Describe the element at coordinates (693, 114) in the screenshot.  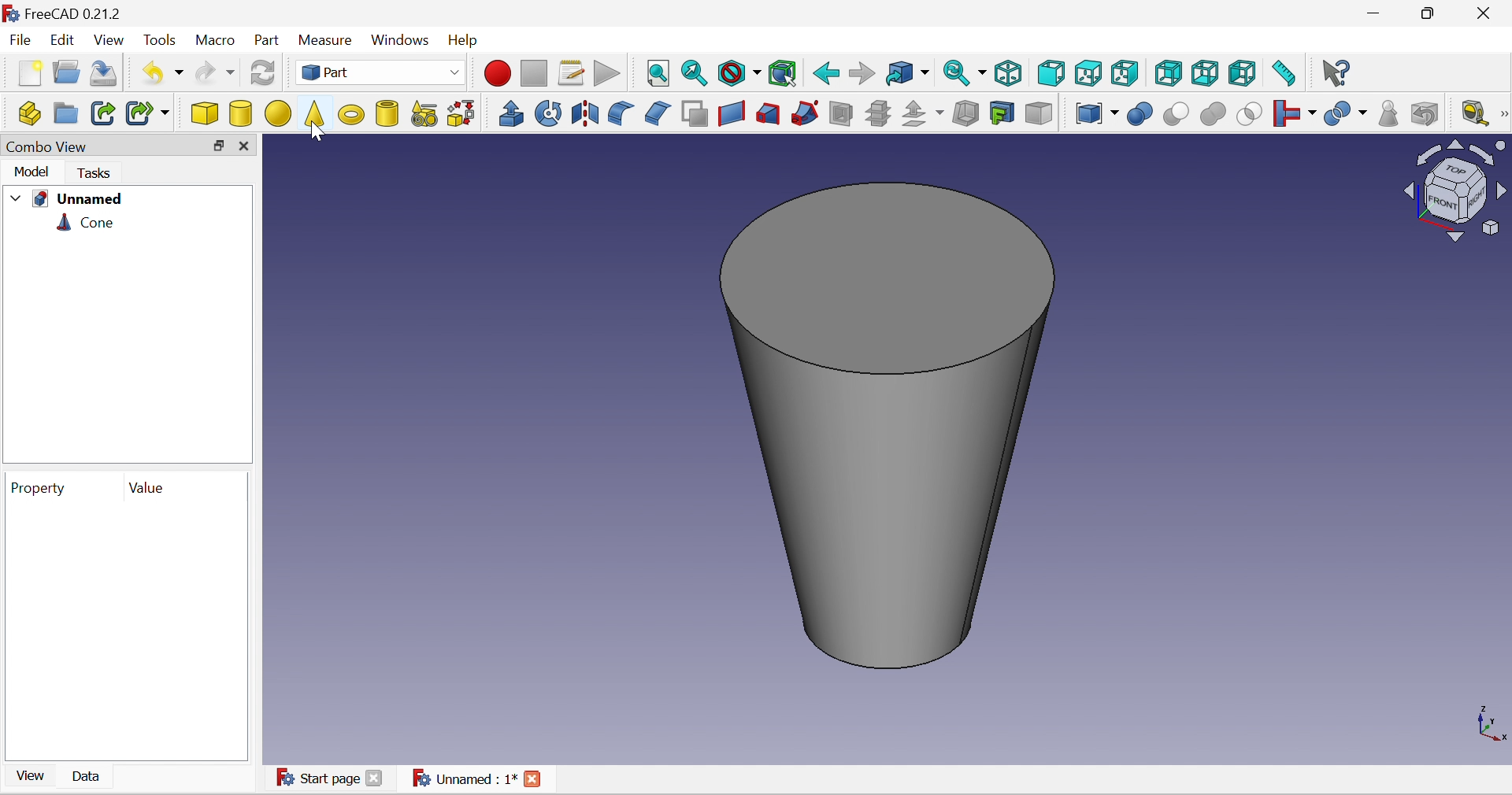
I see `Make face from wires` at that location.